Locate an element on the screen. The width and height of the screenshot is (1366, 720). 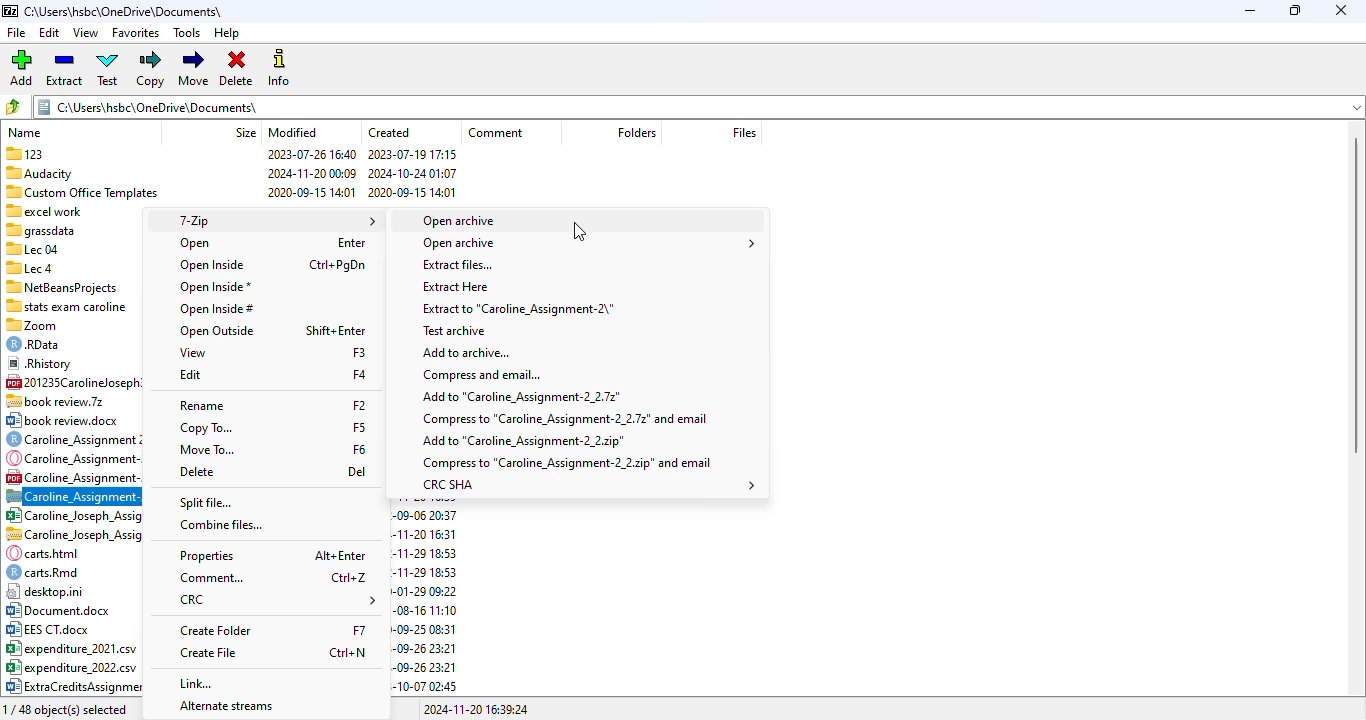
delete is located at coordinates (237, 68).